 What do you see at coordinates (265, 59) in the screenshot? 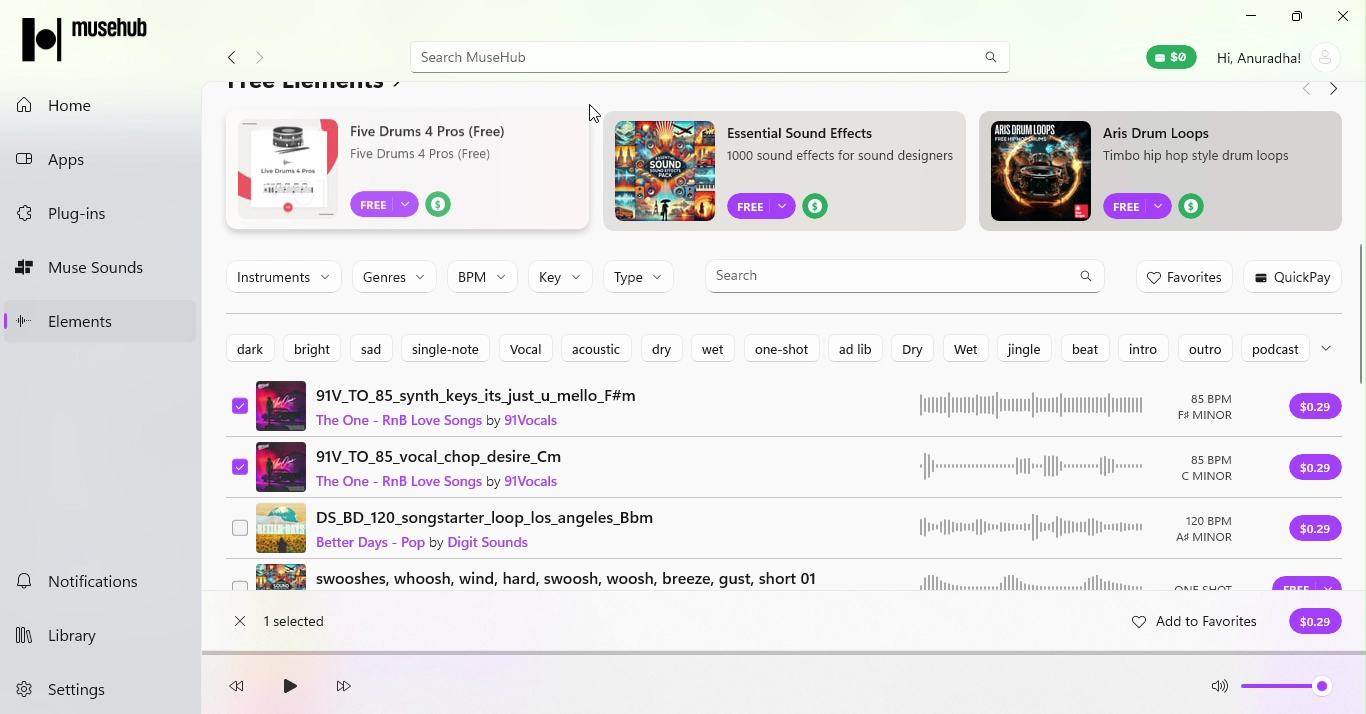
I see `Navigate forward` at bounding box center [265, 59].